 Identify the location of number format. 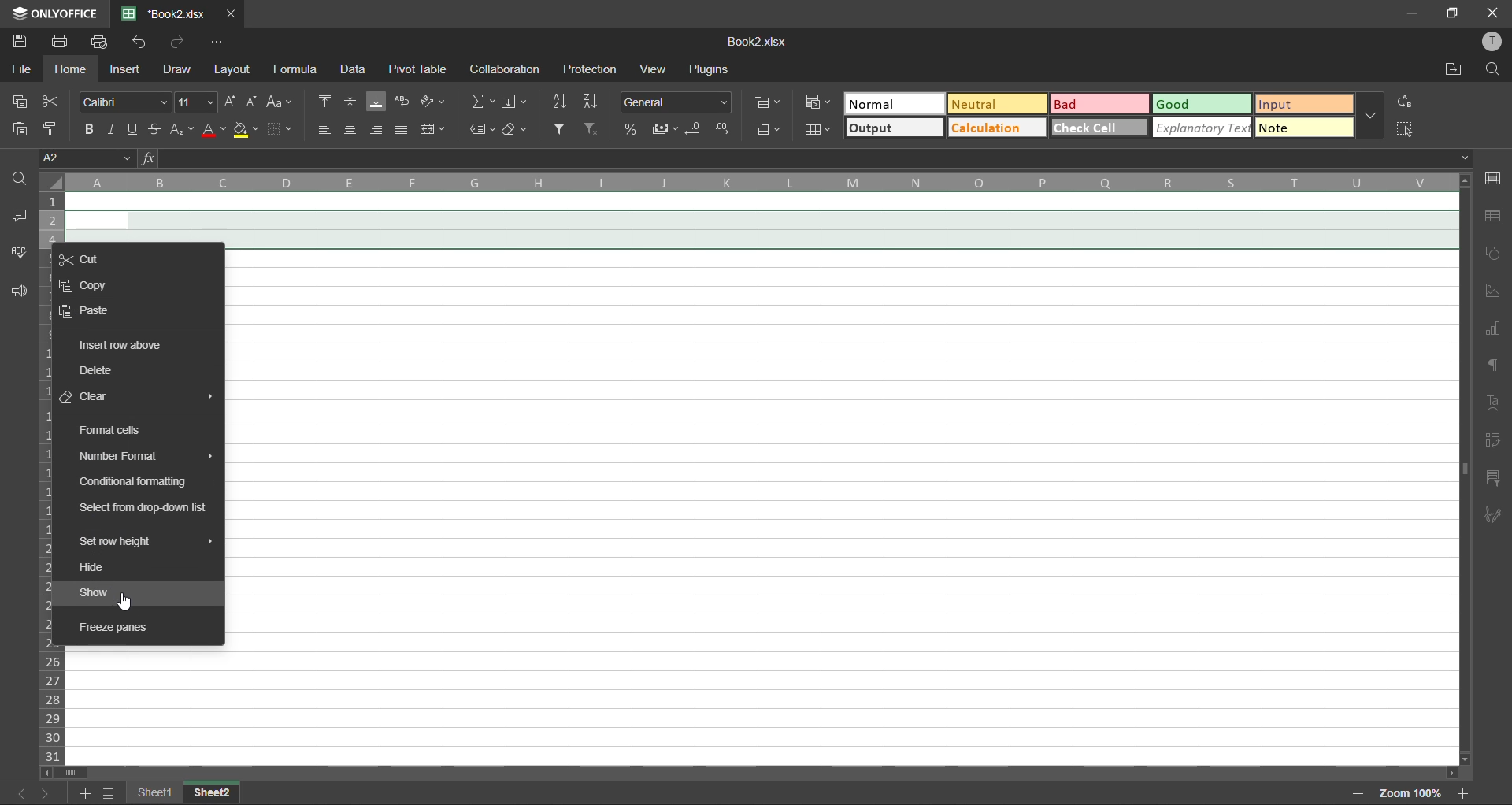
(122, 455).